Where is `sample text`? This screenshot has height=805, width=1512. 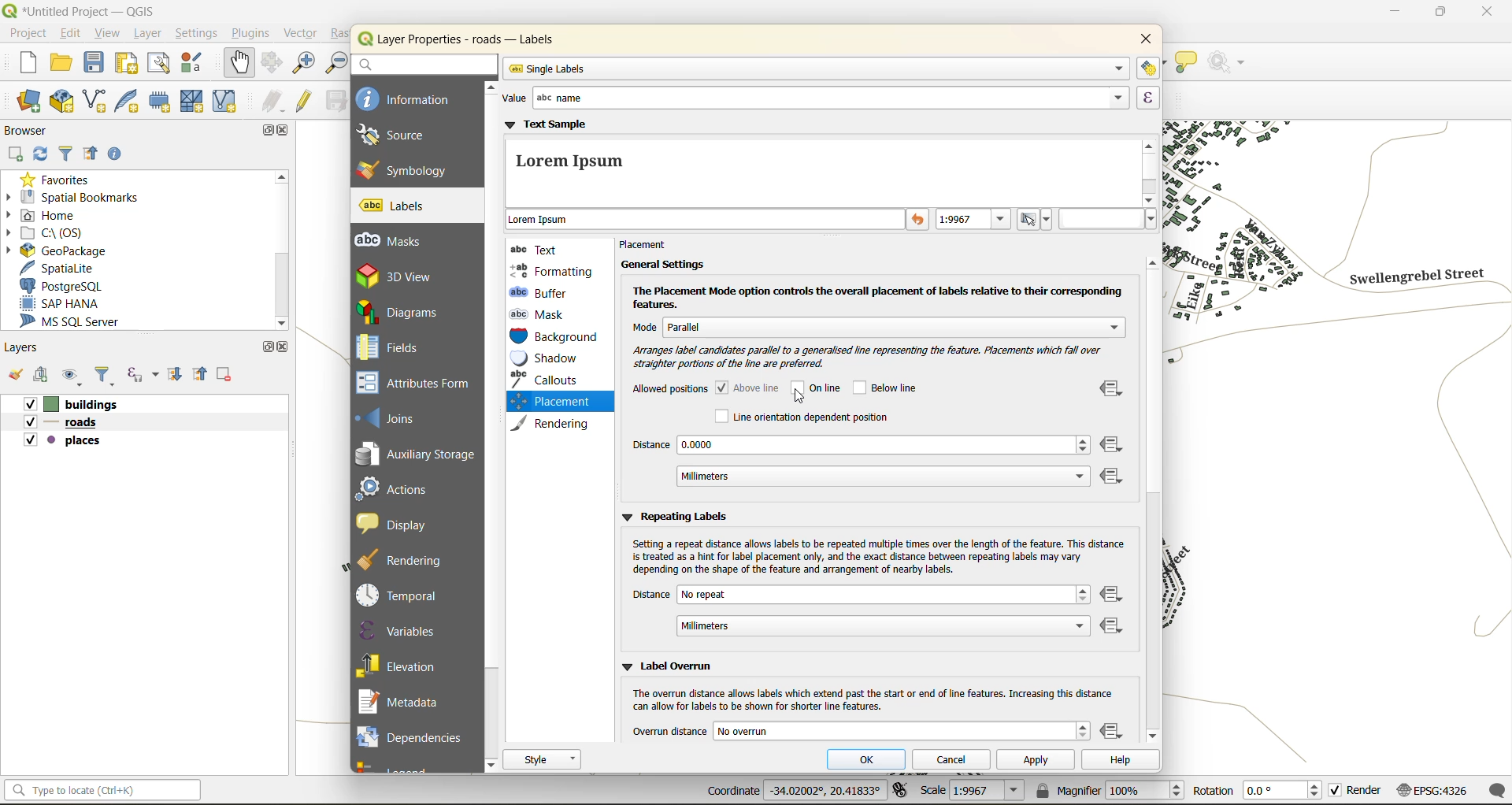
sample text is located at coordinates (706, 221).